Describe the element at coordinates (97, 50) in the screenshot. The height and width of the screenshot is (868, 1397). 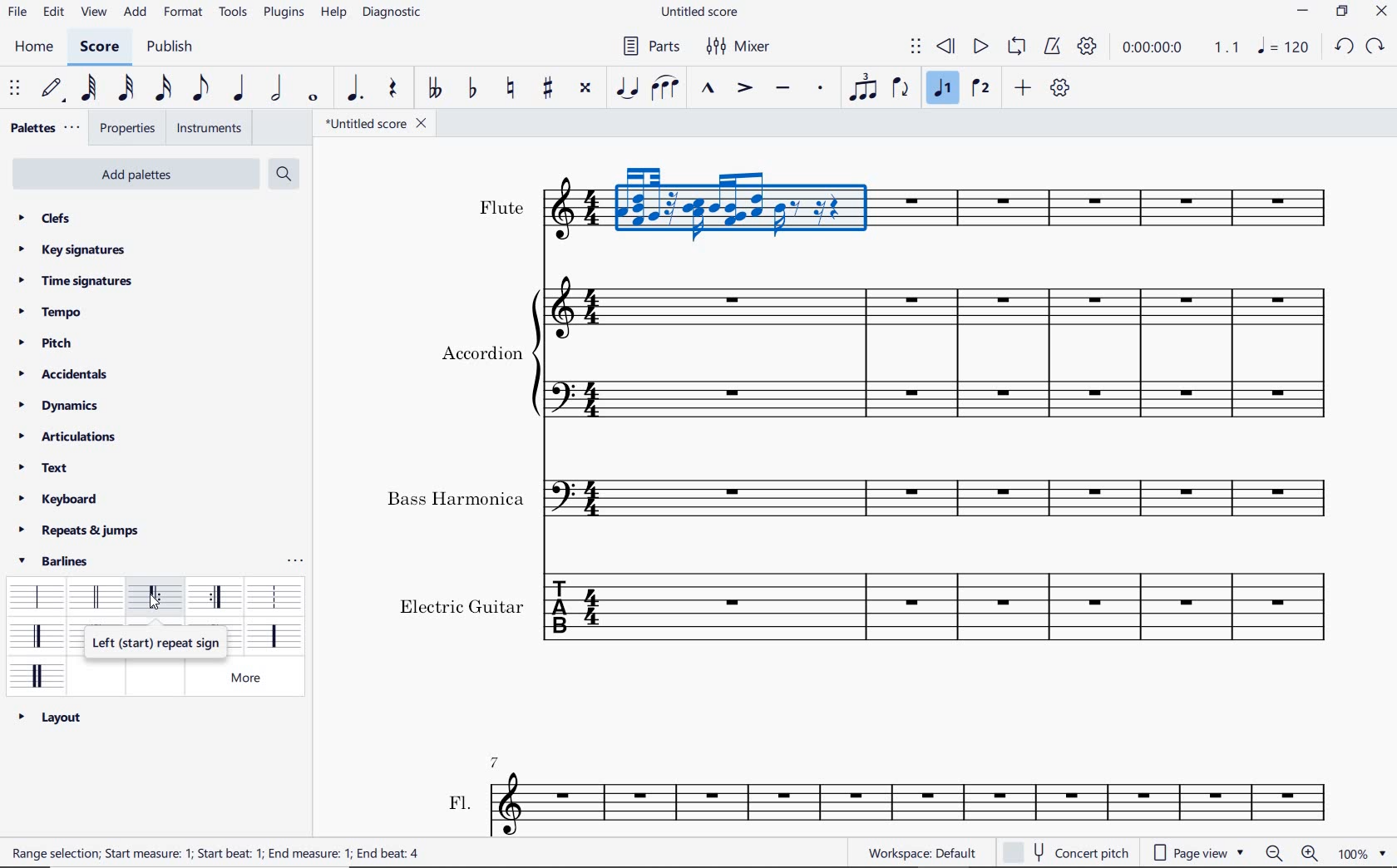
I see `SCORE` at that location.